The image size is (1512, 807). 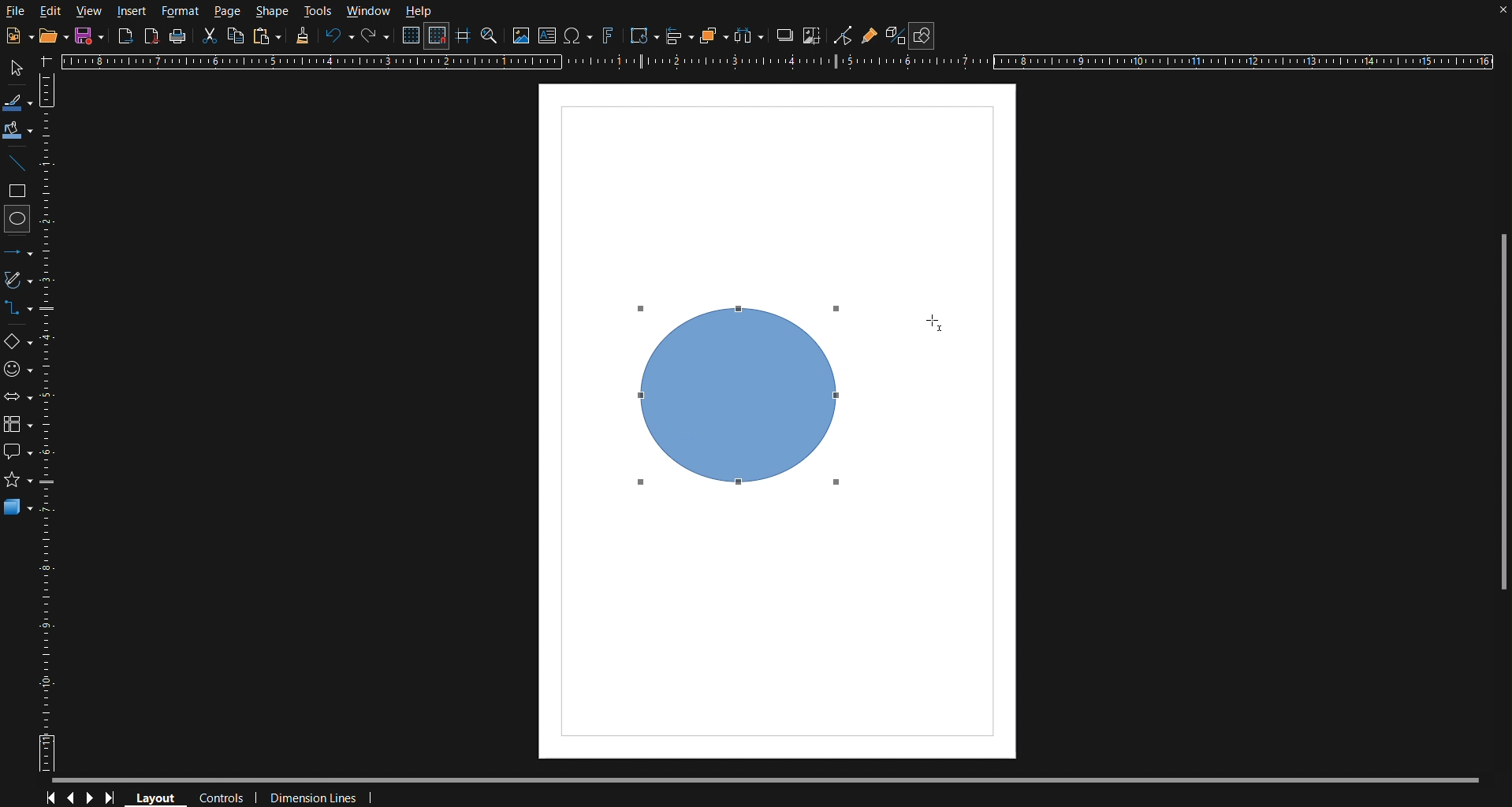 I want to click on Box Arrows, so click(x=18, y=402).